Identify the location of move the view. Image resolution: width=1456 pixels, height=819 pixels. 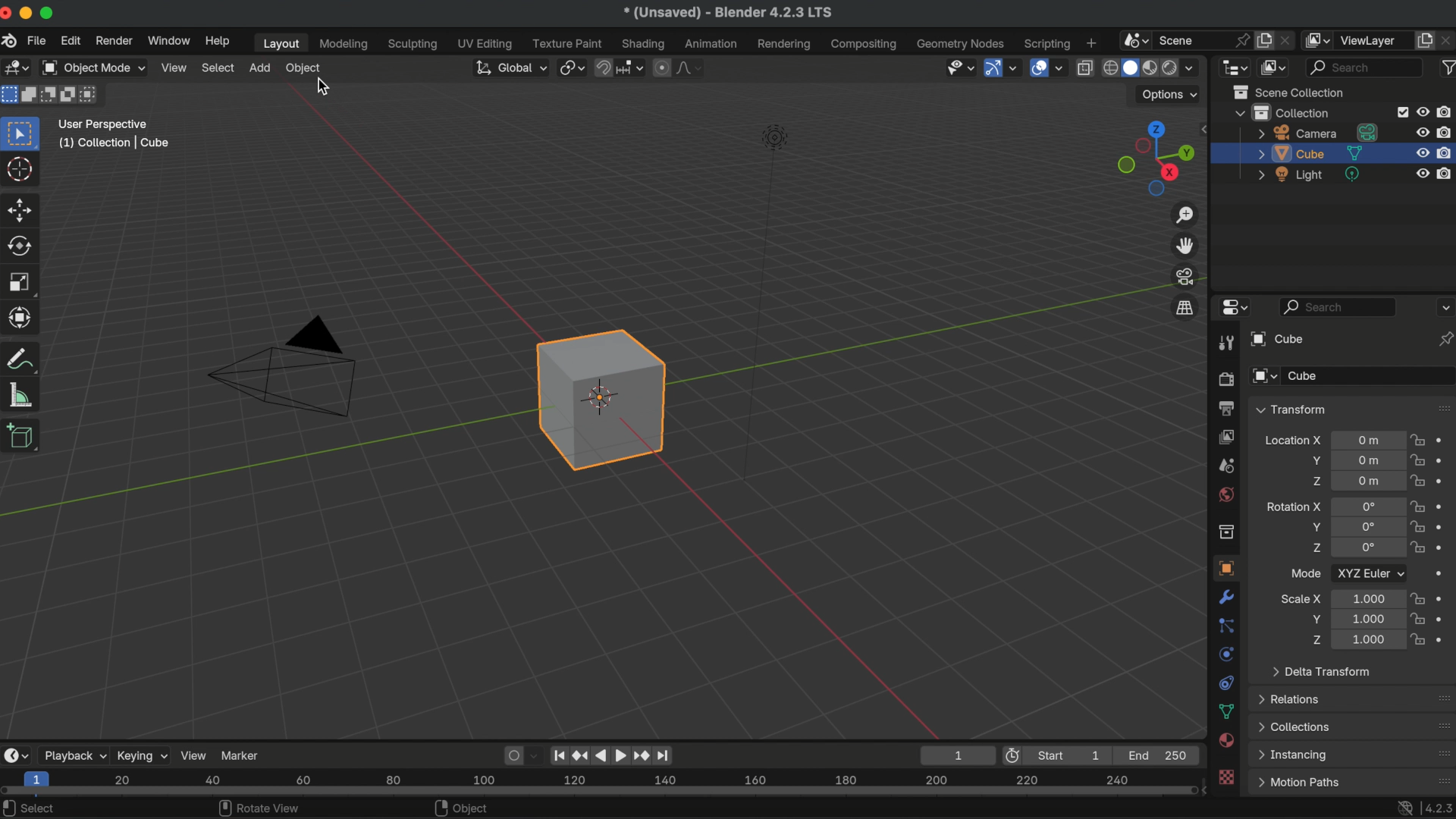
(1186, 245).